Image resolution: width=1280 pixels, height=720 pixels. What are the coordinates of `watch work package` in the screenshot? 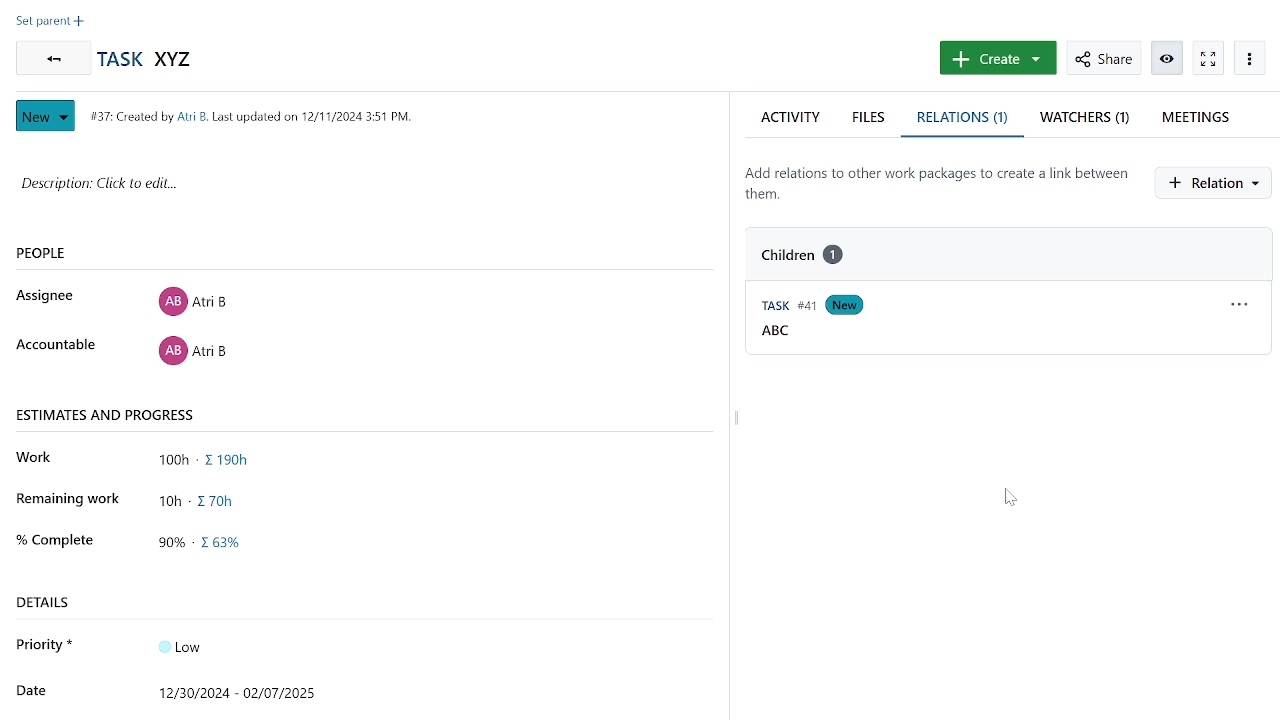 It's located at (1207, 58).